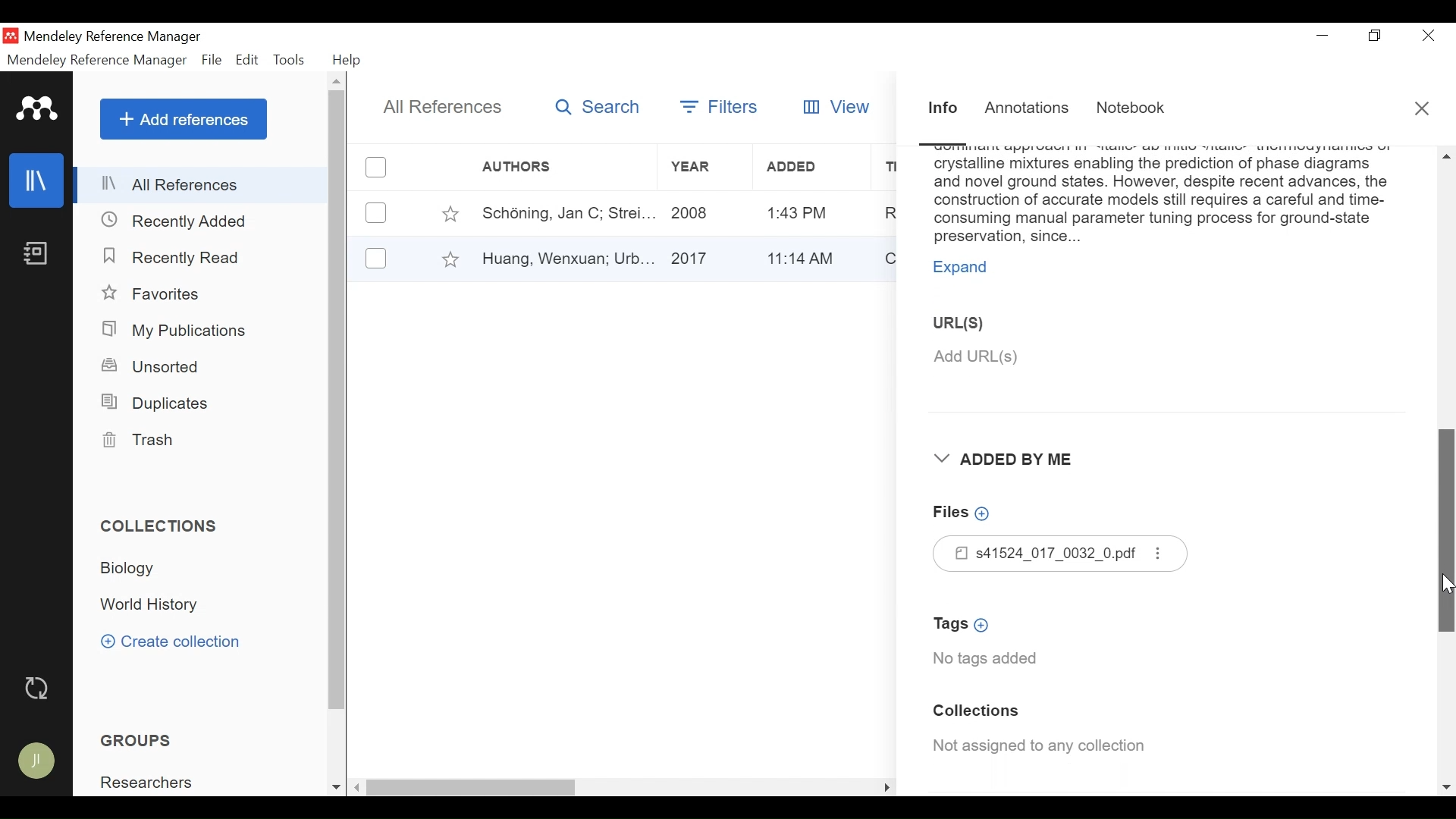  What do you see at coordinates (152, 606) in the screenshot?
I see `Collection` at bounding box center [152, 606].